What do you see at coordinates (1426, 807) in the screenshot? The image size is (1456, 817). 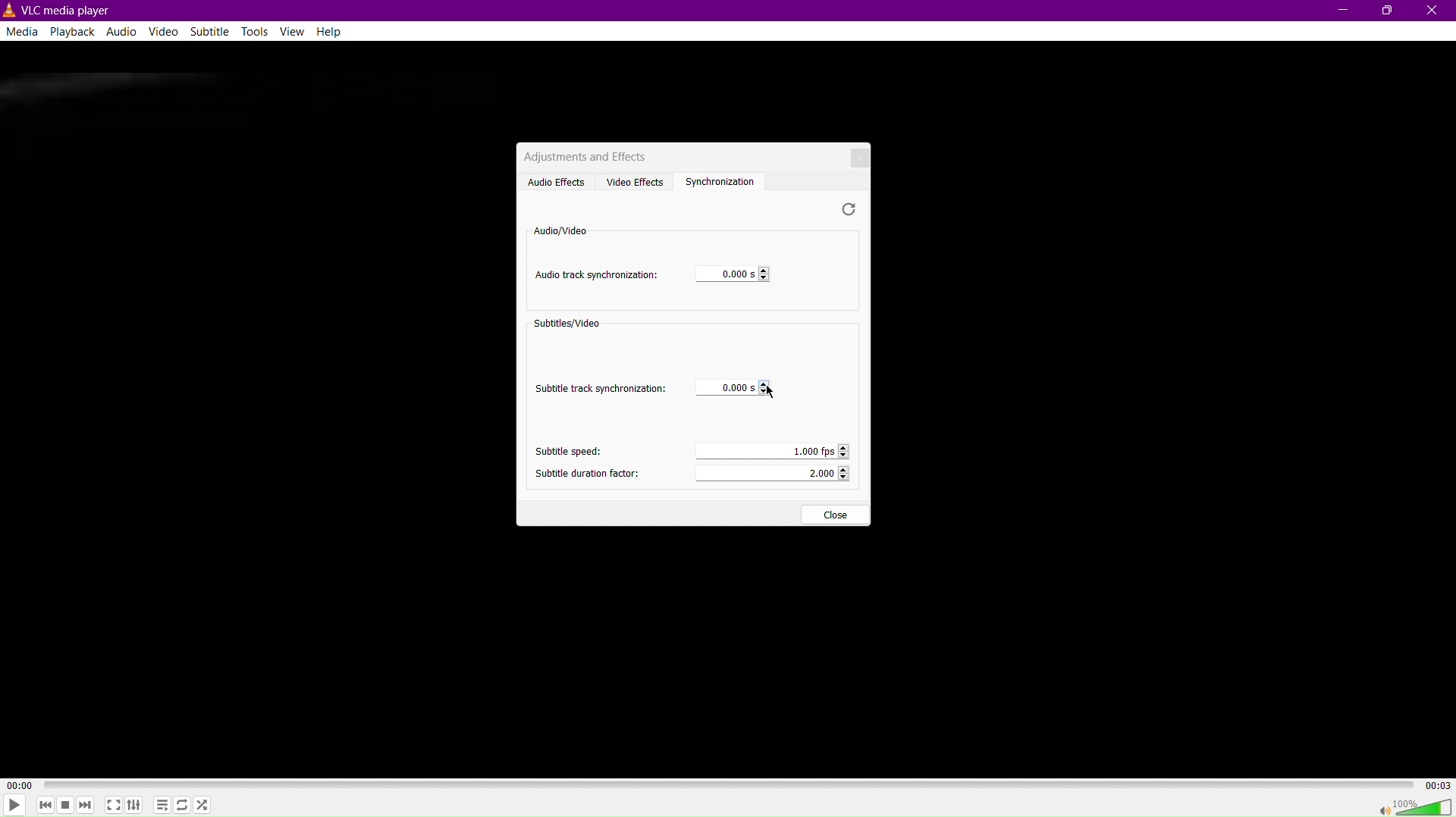 I see `Volume` at bounding box center [1426, 807].